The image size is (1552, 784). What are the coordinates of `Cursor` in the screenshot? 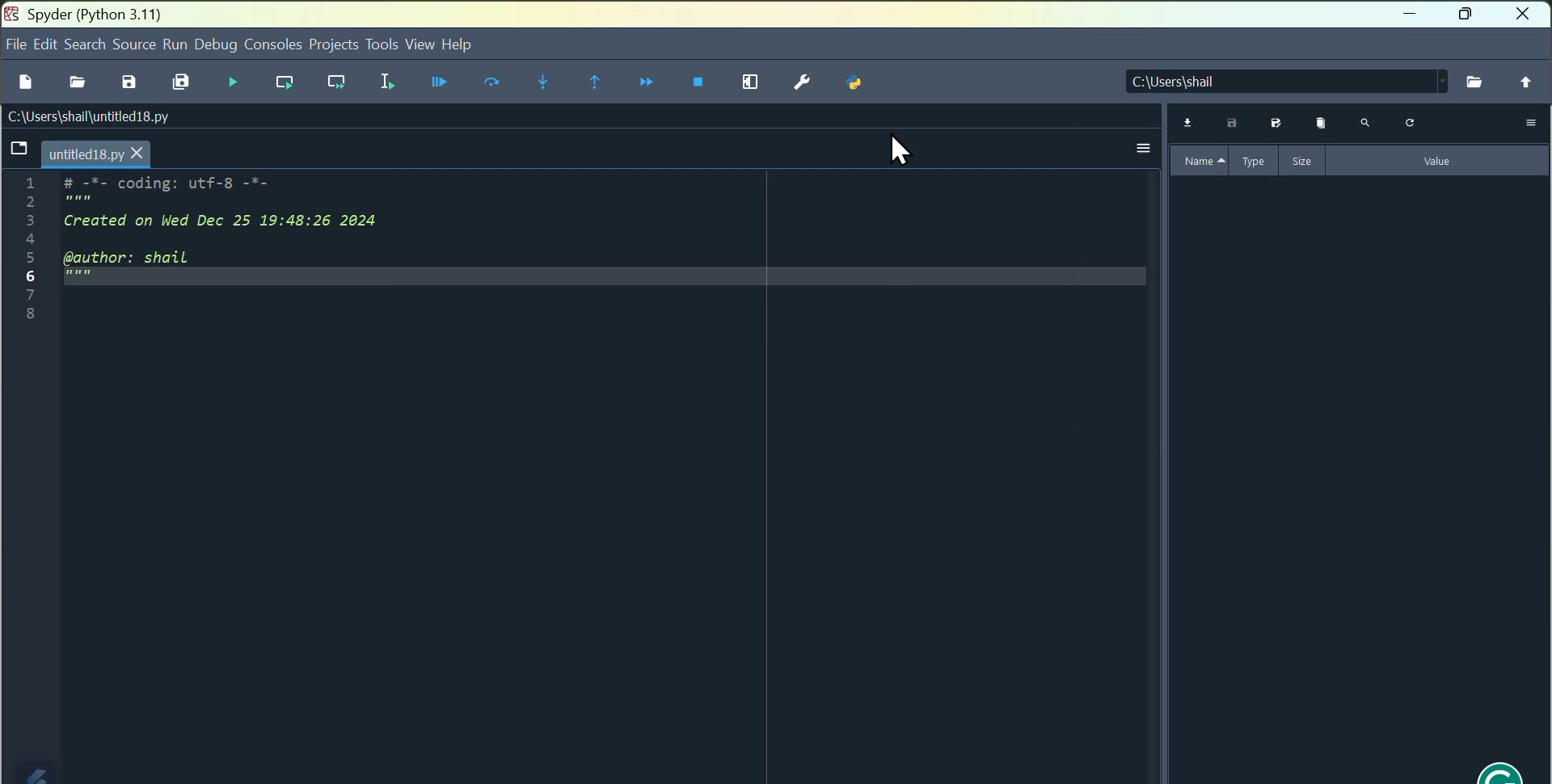 It's located at (903, 151).